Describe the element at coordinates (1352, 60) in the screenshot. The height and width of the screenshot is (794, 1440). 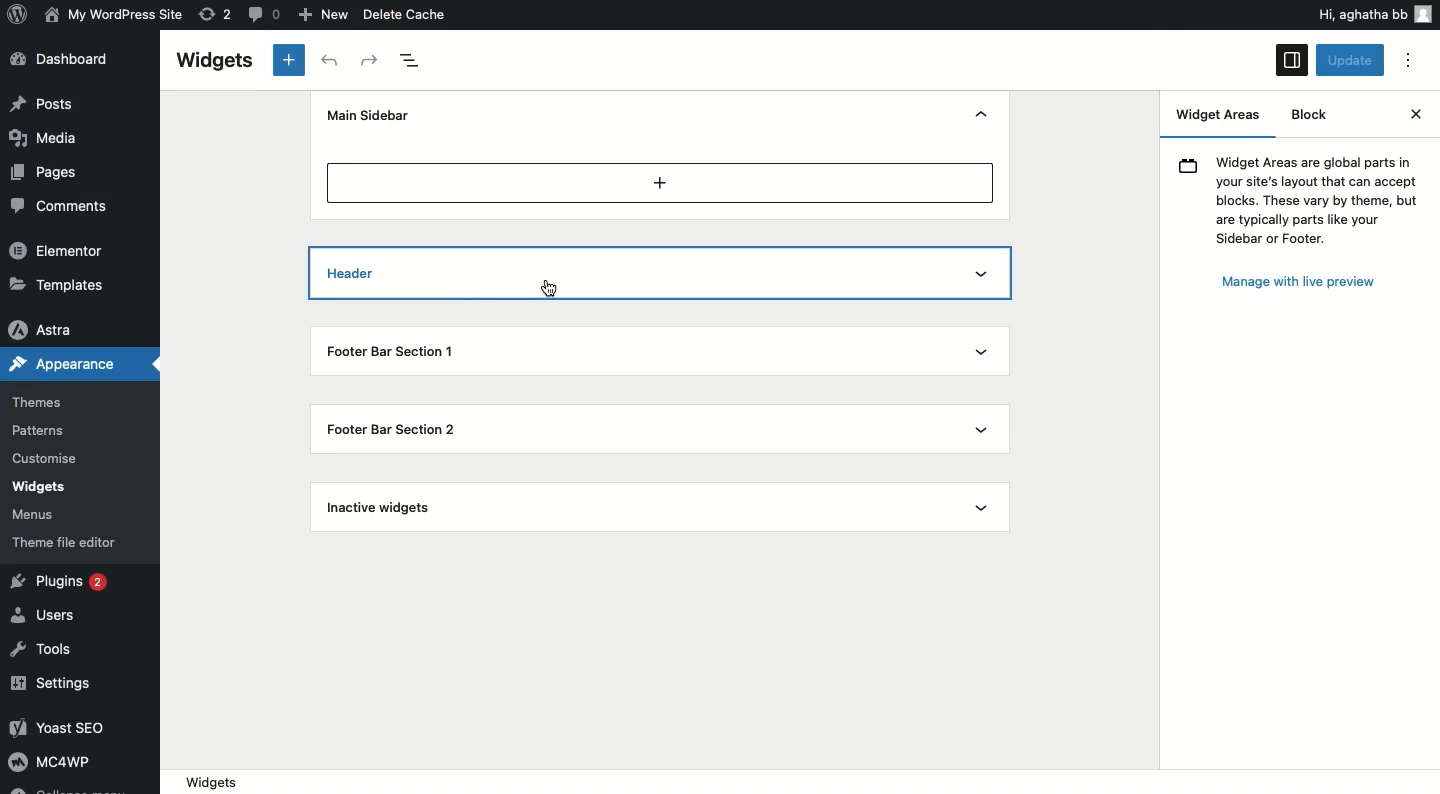
I see `Update` at that location.